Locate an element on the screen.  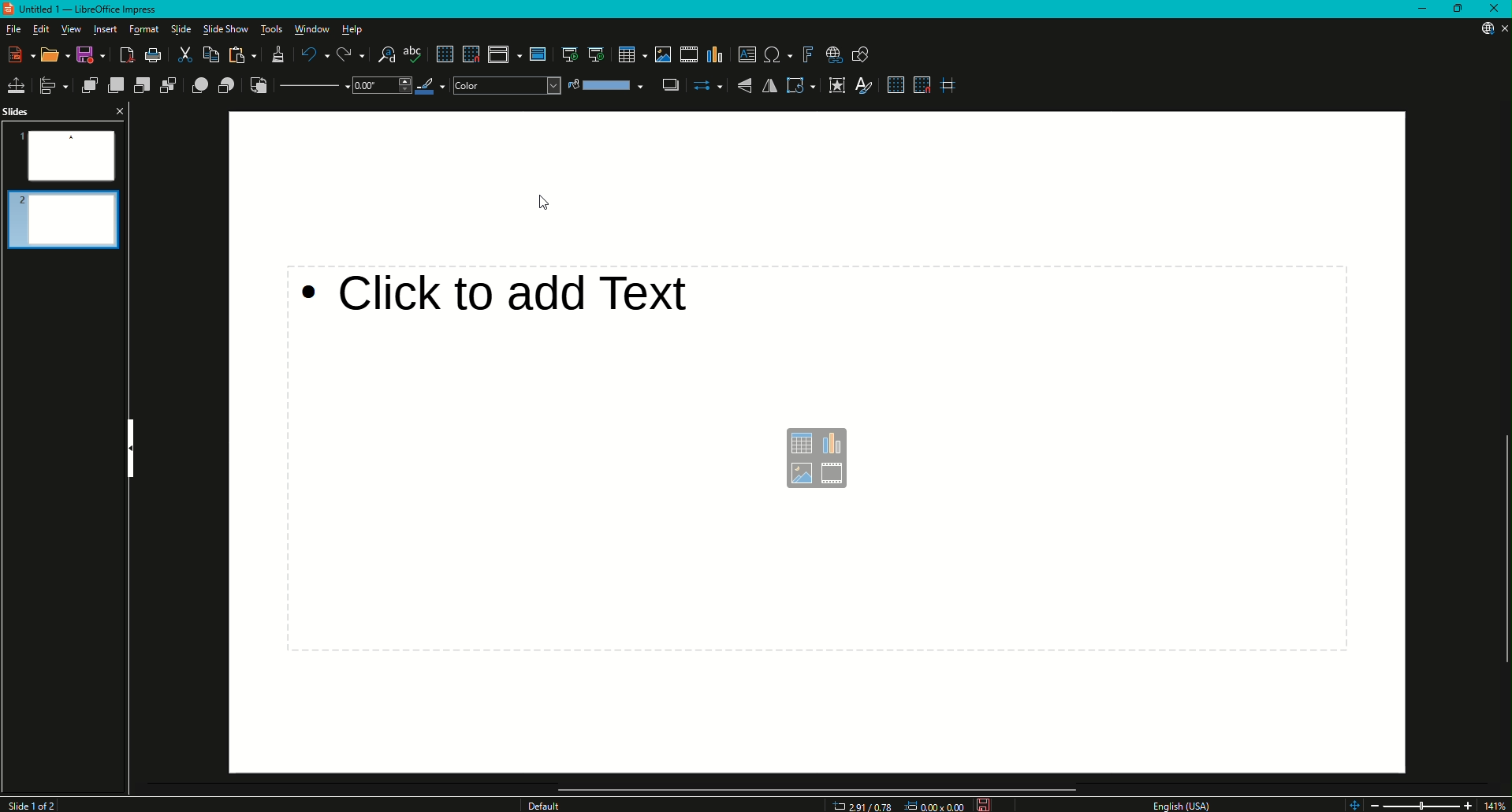
Drop Down is located at coordinates (378, 89).